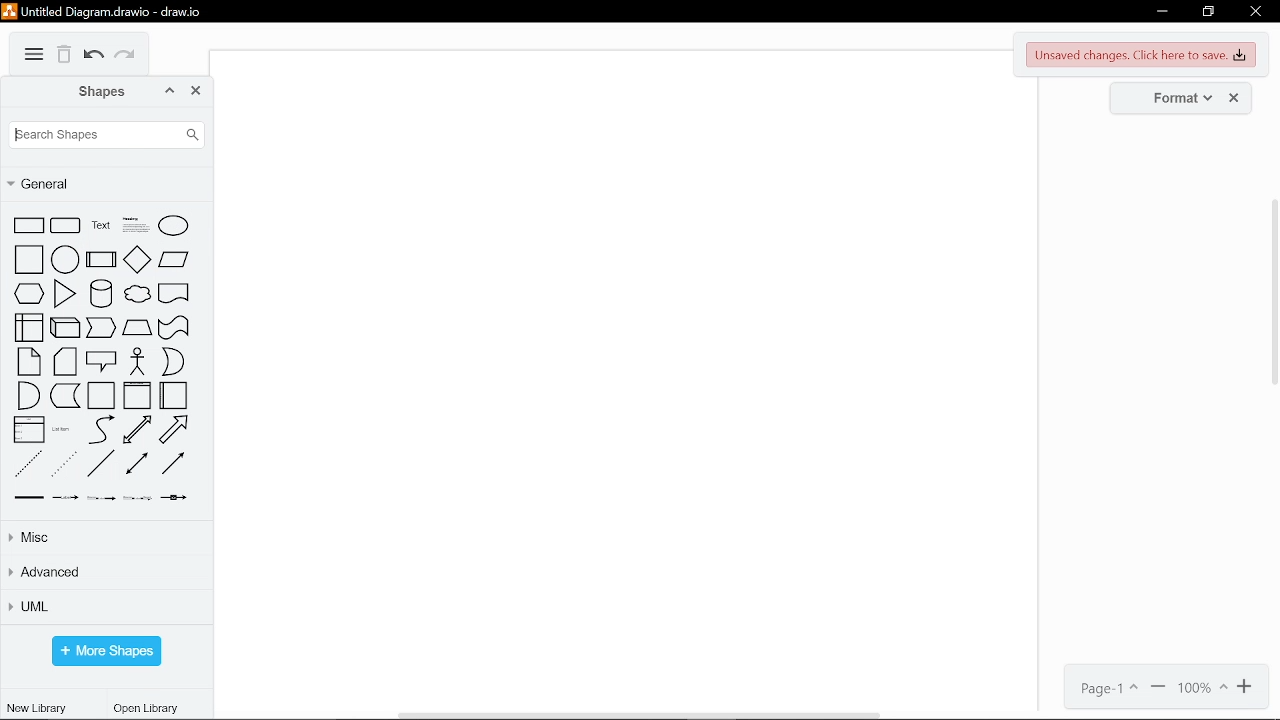  Describe the element at coordinates (30, 497) in the screenshot. I see `link` at that location.